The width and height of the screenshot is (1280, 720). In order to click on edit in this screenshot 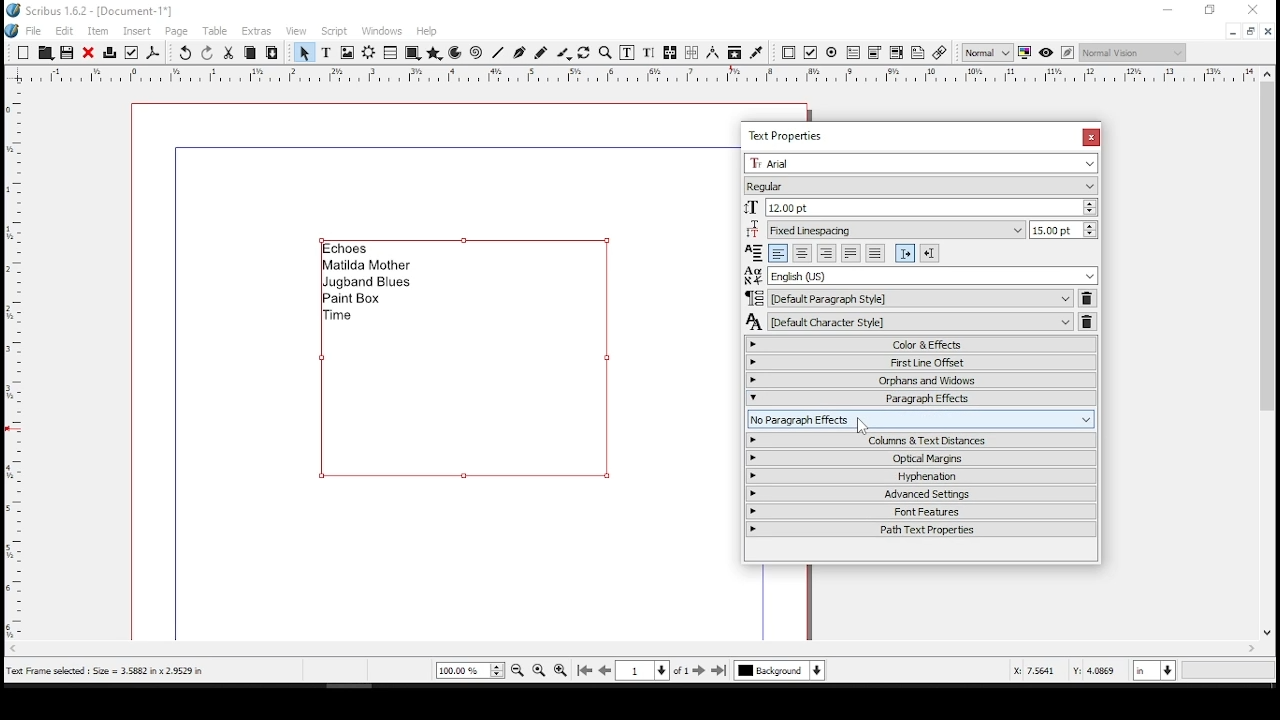, I will do `click(65, 30)`.